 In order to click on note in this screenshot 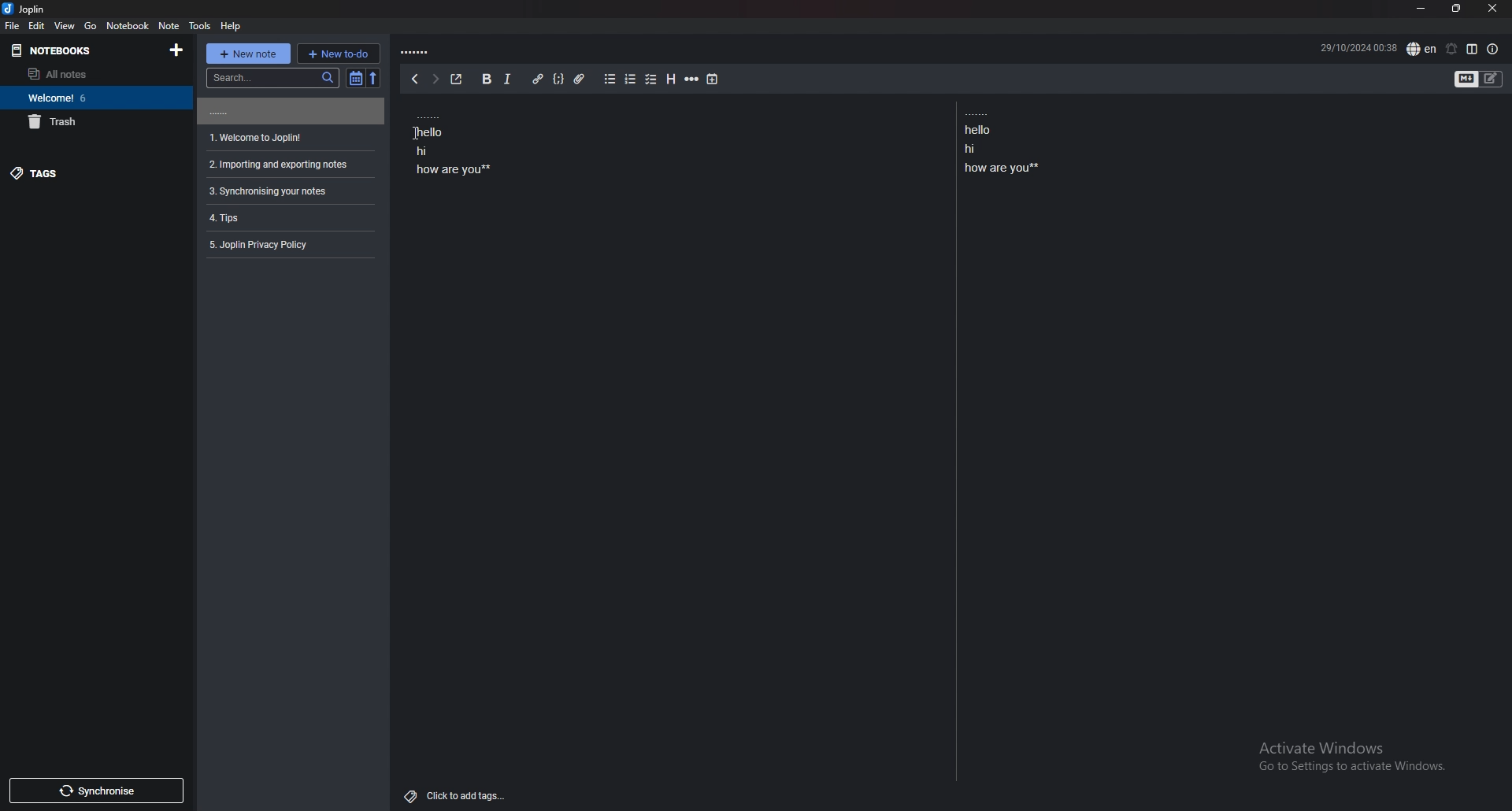, I will do `click(288, 191)`.